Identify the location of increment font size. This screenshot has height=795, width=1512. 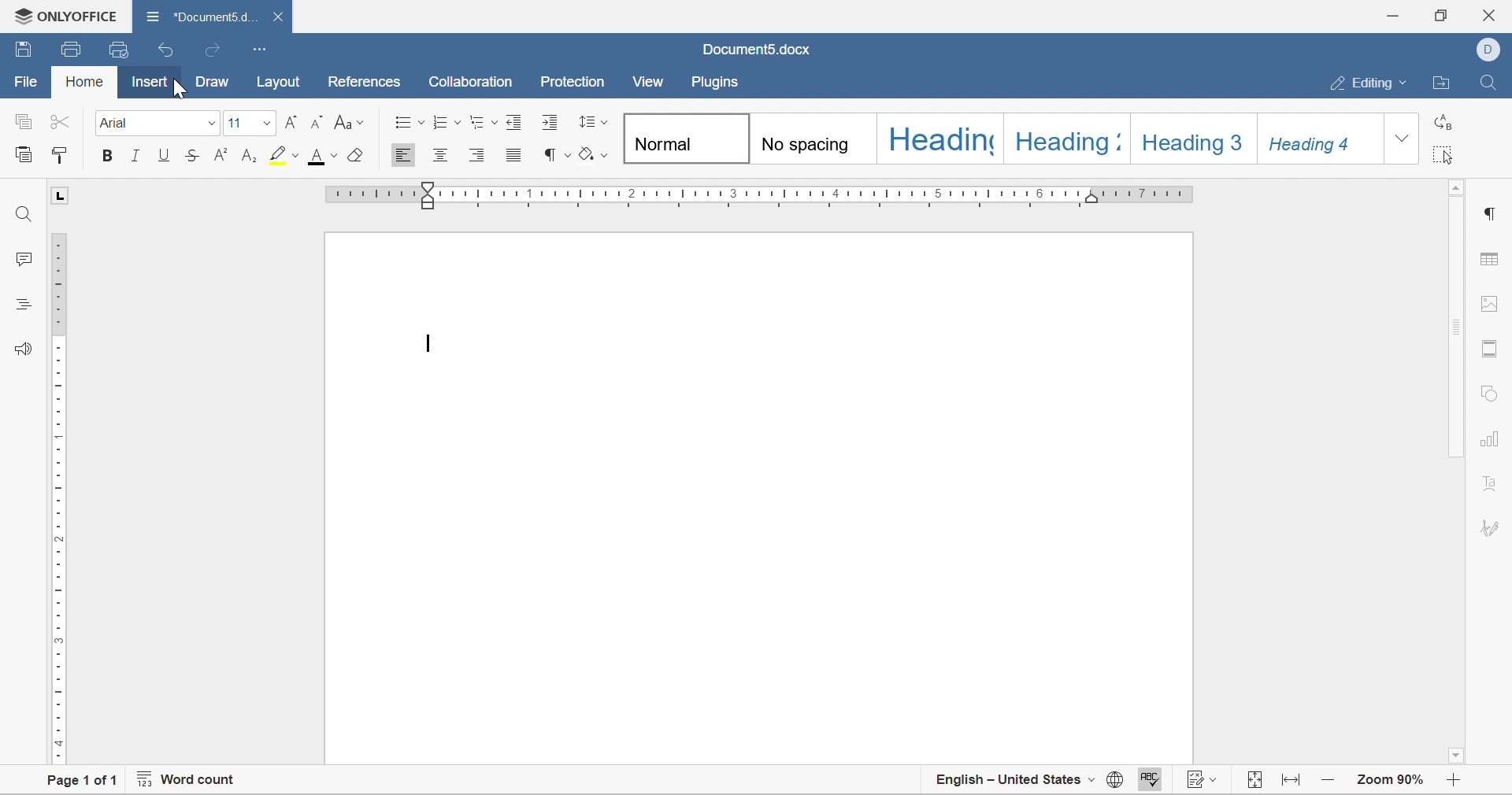
(294, 121).